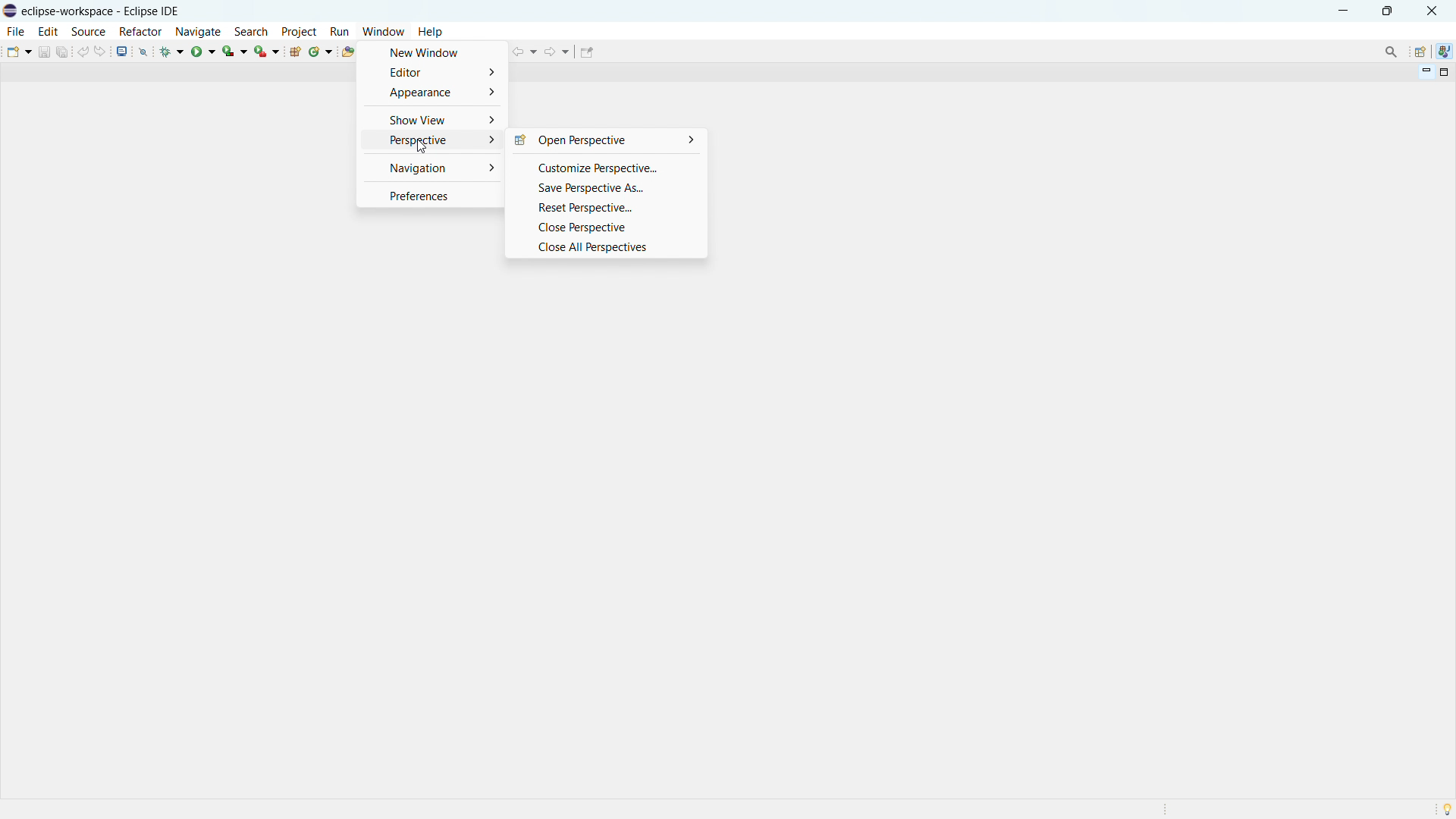  Describe the element at coordinates (173, 51) in the screenshot. I see `debug` at that location.